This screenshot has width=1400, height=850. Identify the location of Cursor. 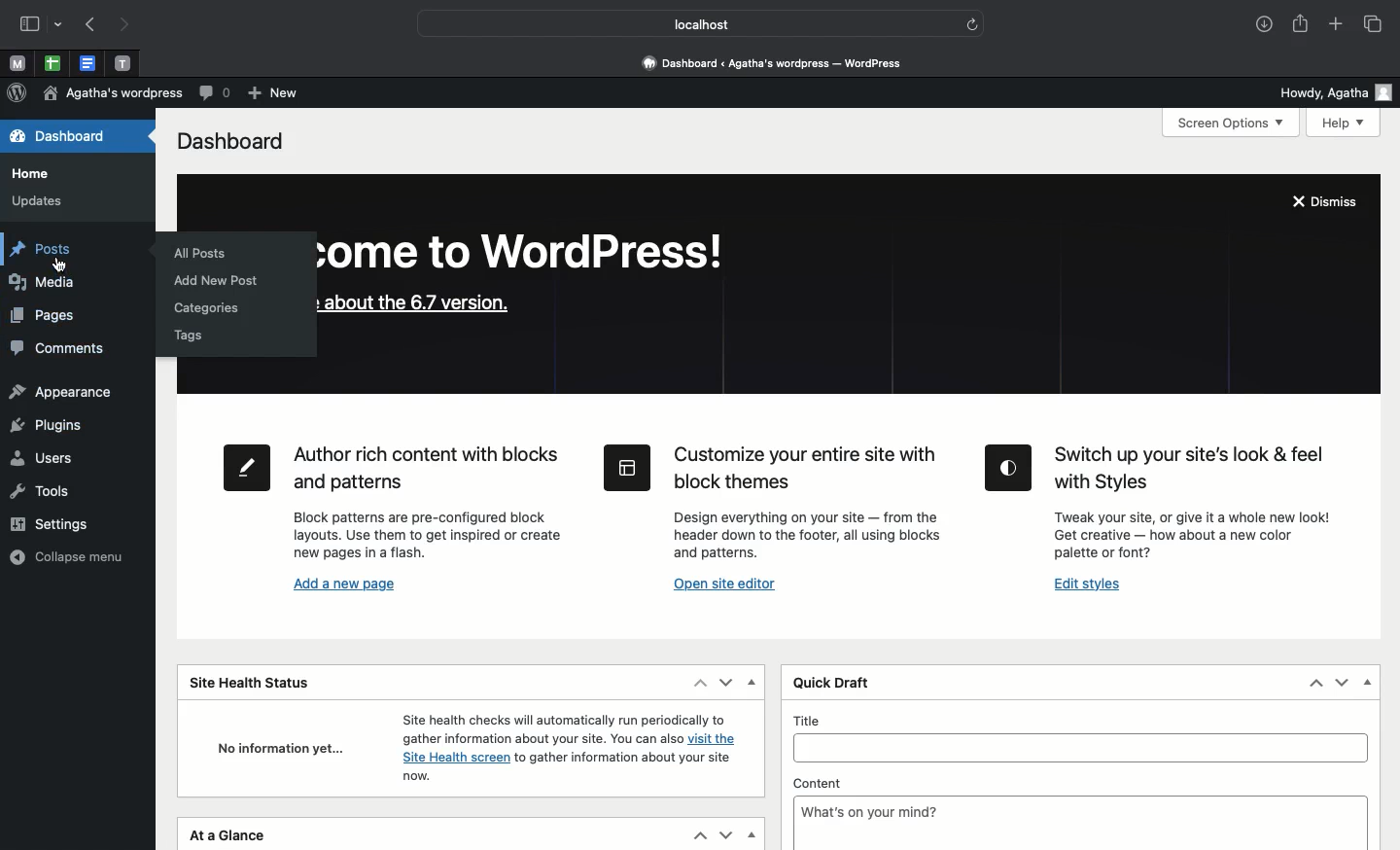
(58, 266).